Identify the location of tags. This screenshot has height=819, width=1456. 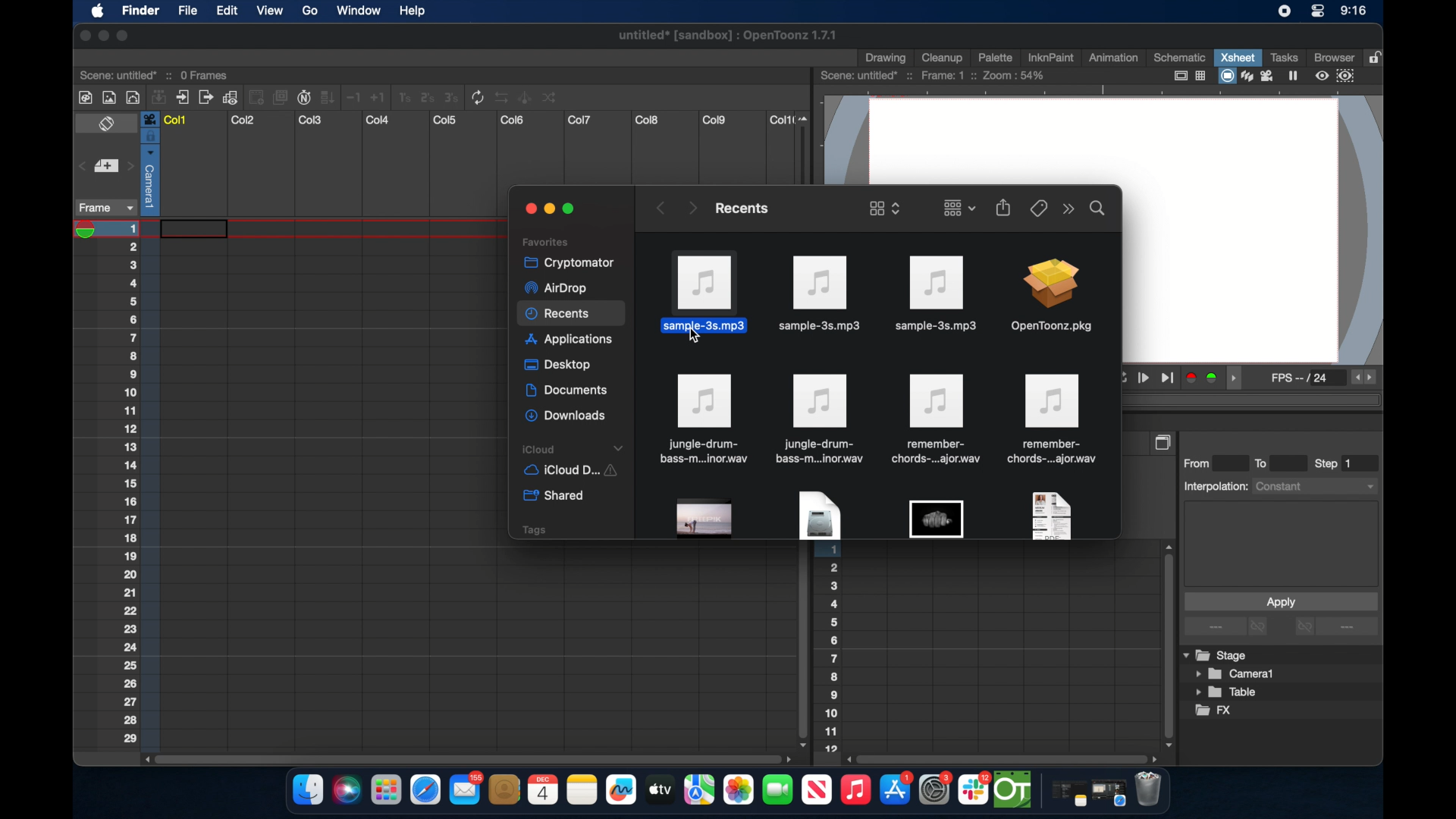
(1037, 207).